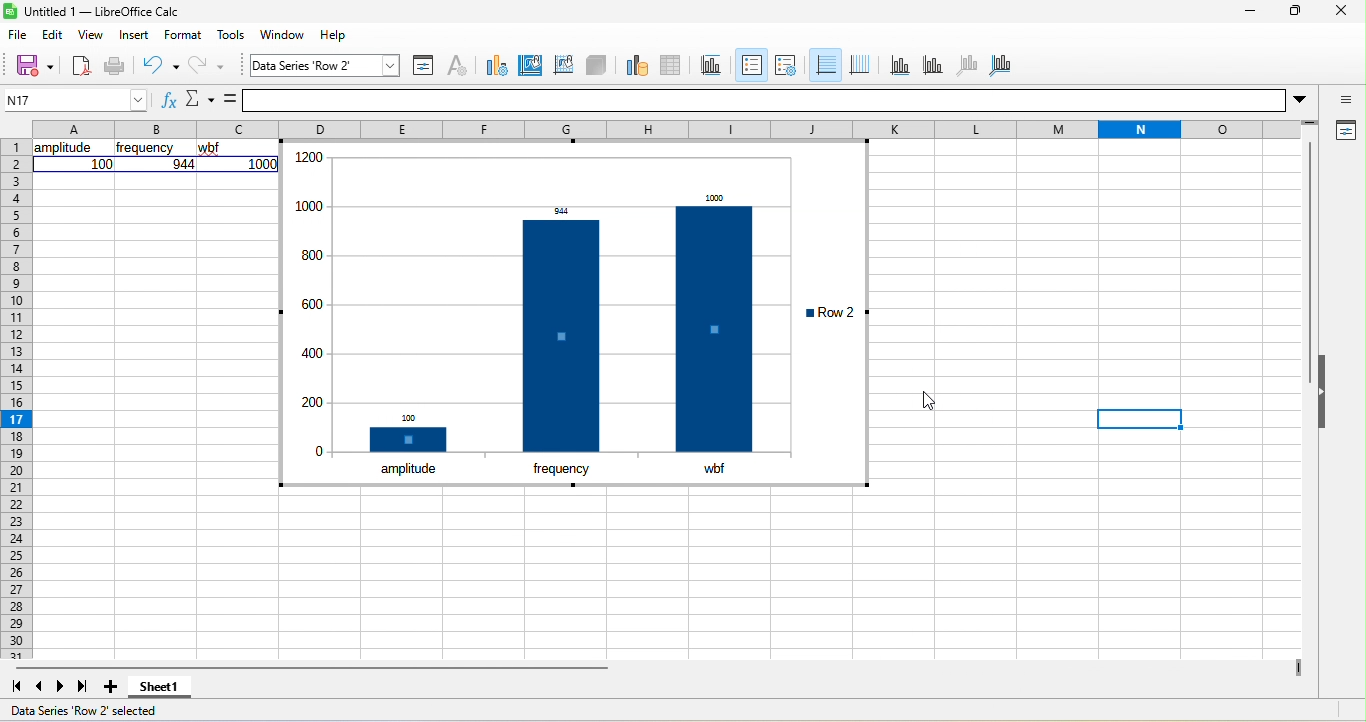 The width and height of the screenshot is (1366, 722). Describe the element at coordinates (227, 101) in the screenshot. I see `formula` at that location.